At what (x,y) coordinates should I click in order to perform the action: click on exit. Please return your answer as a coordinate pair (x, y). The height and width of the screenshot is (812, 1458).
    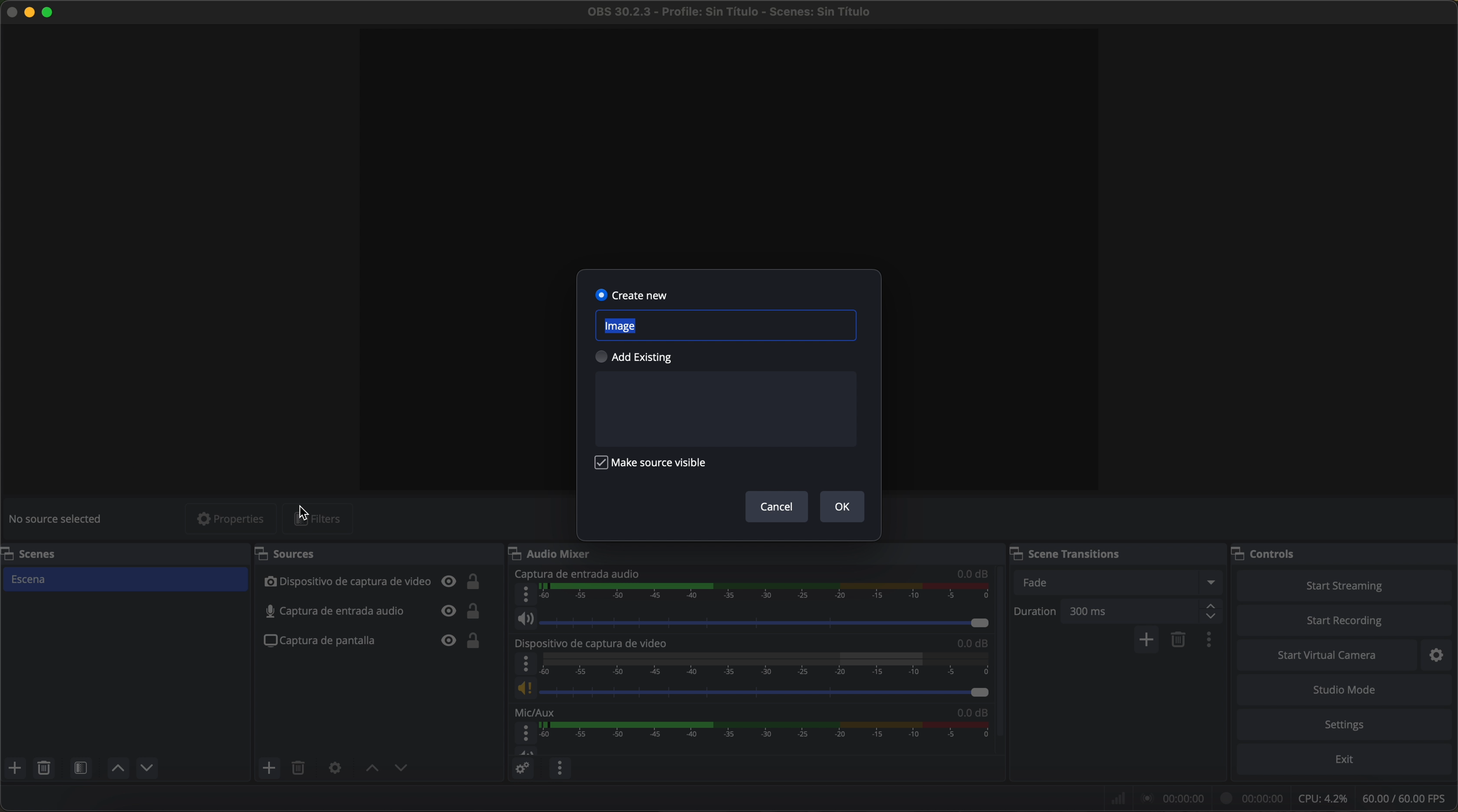
    Looking at the image, I should click on (1346, 761).